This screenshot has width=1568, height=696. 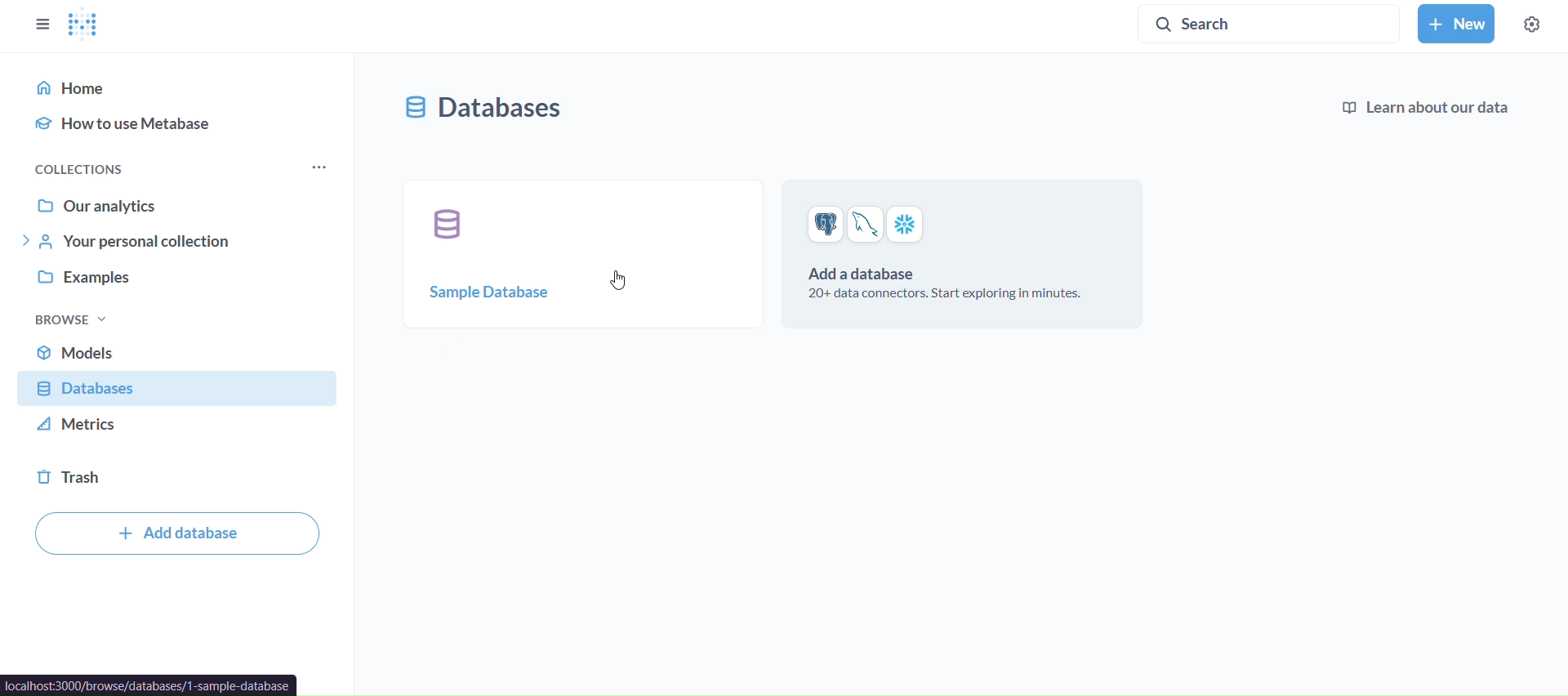 What do you see at coordinates (583, 252) in the screenshot?
I see `sample database` at bounding box center [583, 252].